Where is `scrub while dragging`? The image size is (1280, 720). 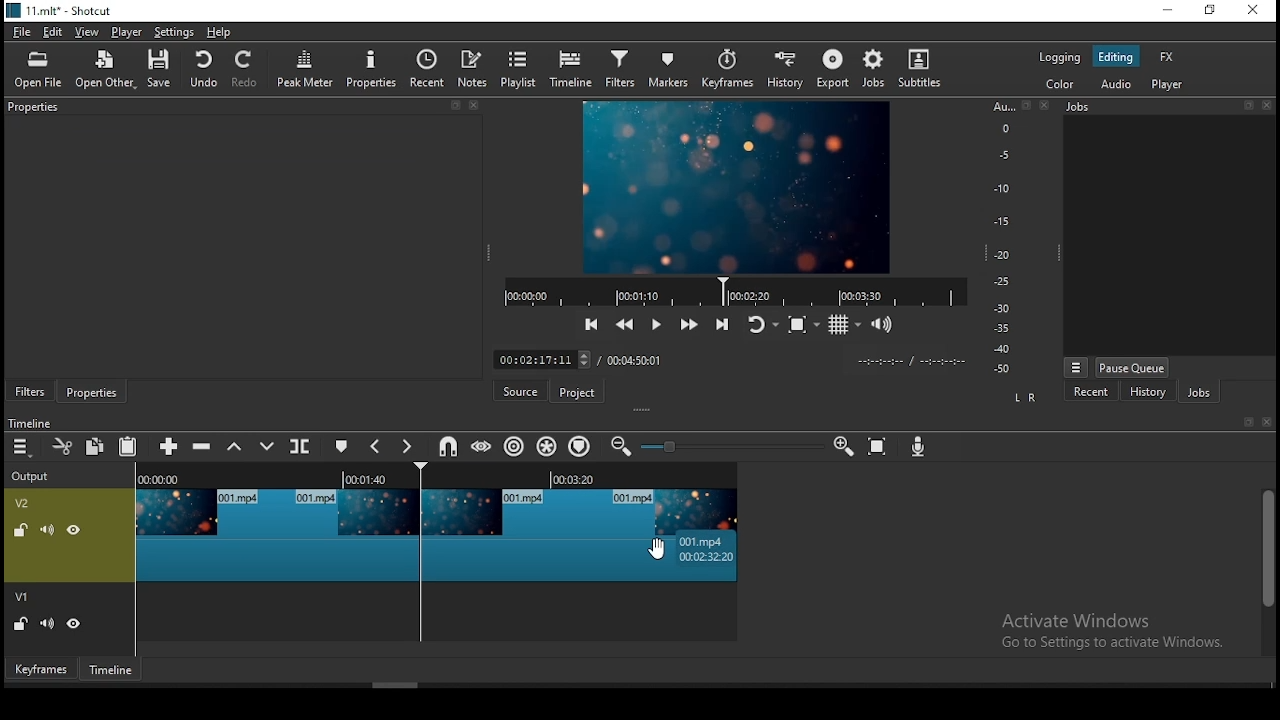
scrub while dragging is located at coordinates (484, 445).